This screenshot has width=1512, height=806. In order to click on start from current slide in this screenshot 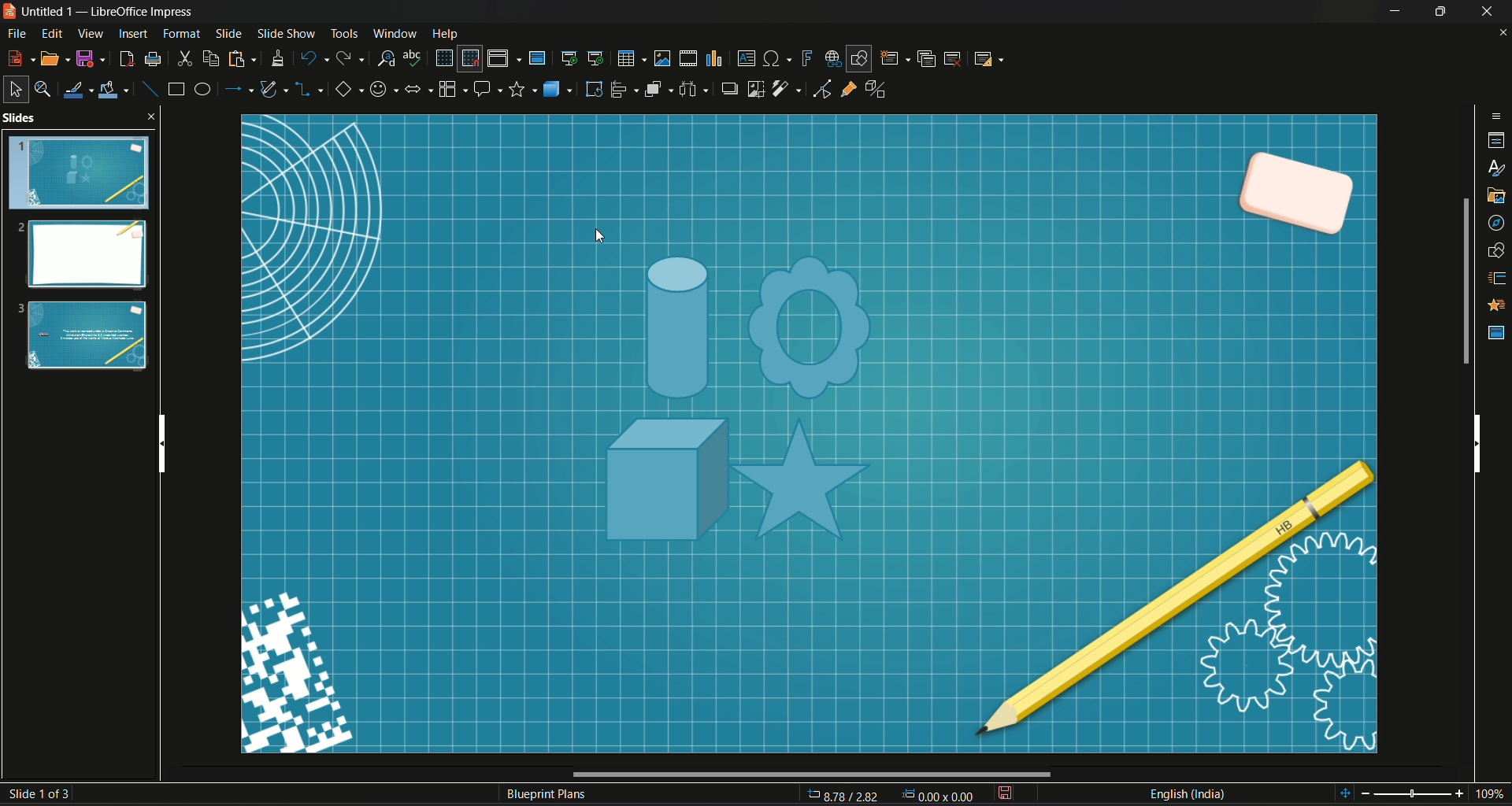, I will do `click(597, 58)`.